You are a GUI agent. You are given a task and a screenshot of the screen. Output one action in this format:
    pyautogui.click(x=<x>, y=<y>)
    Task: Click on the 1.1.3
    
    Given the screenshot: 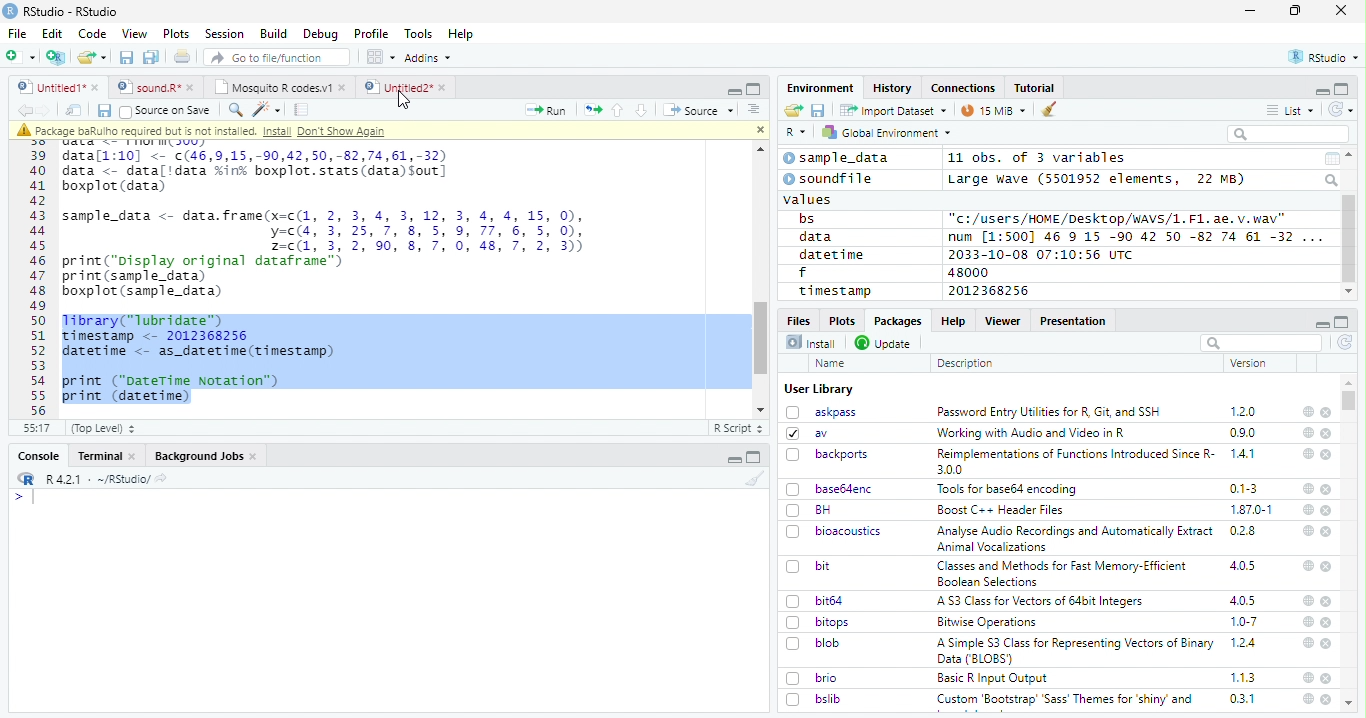 What is the action you would take?
    pyautogui.click(x=1243, y=677)
    